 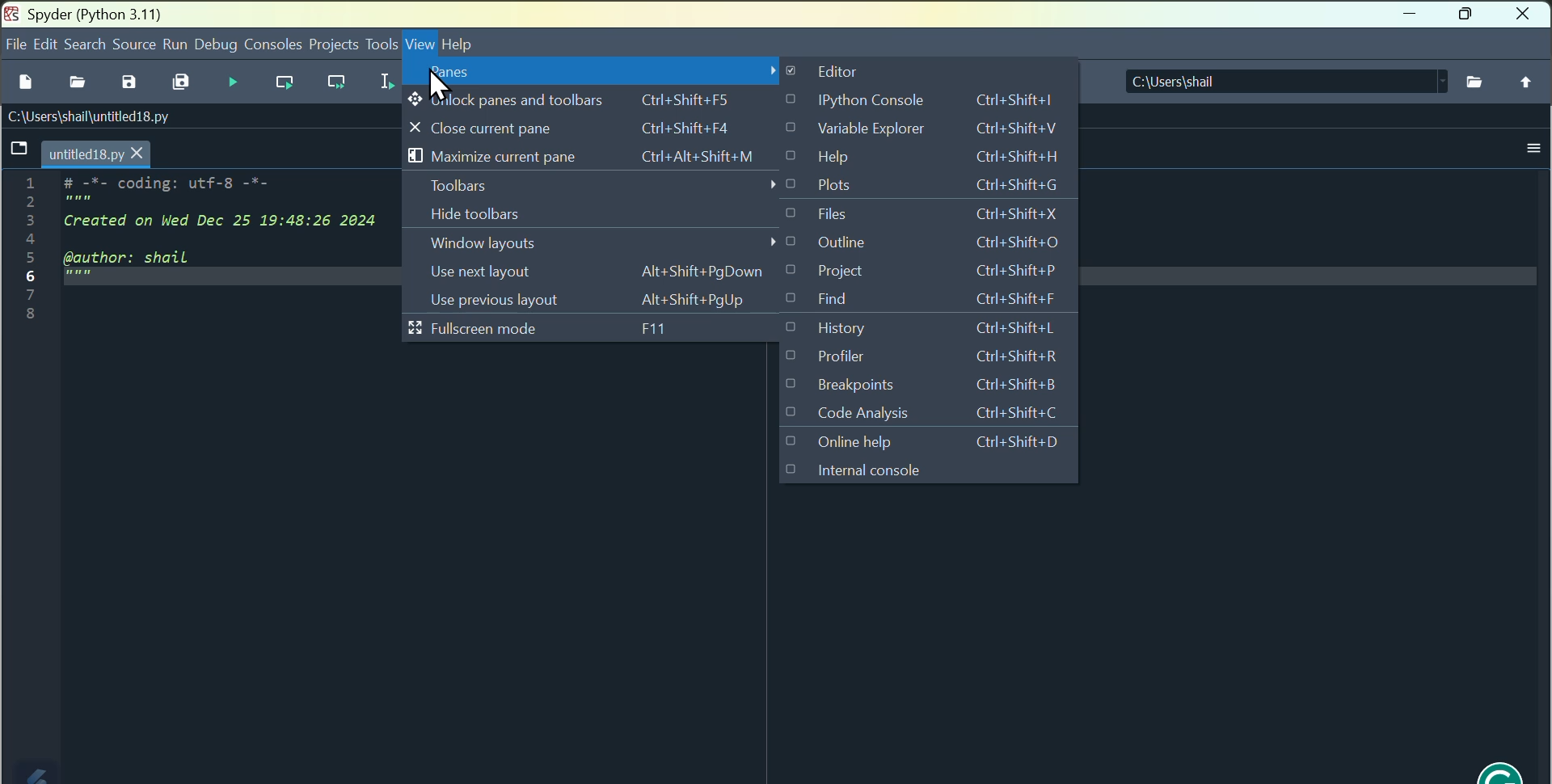 What do you see at coordinates (463, 45) in the screenshot?
I see `help` at bounding box center [463, 45].